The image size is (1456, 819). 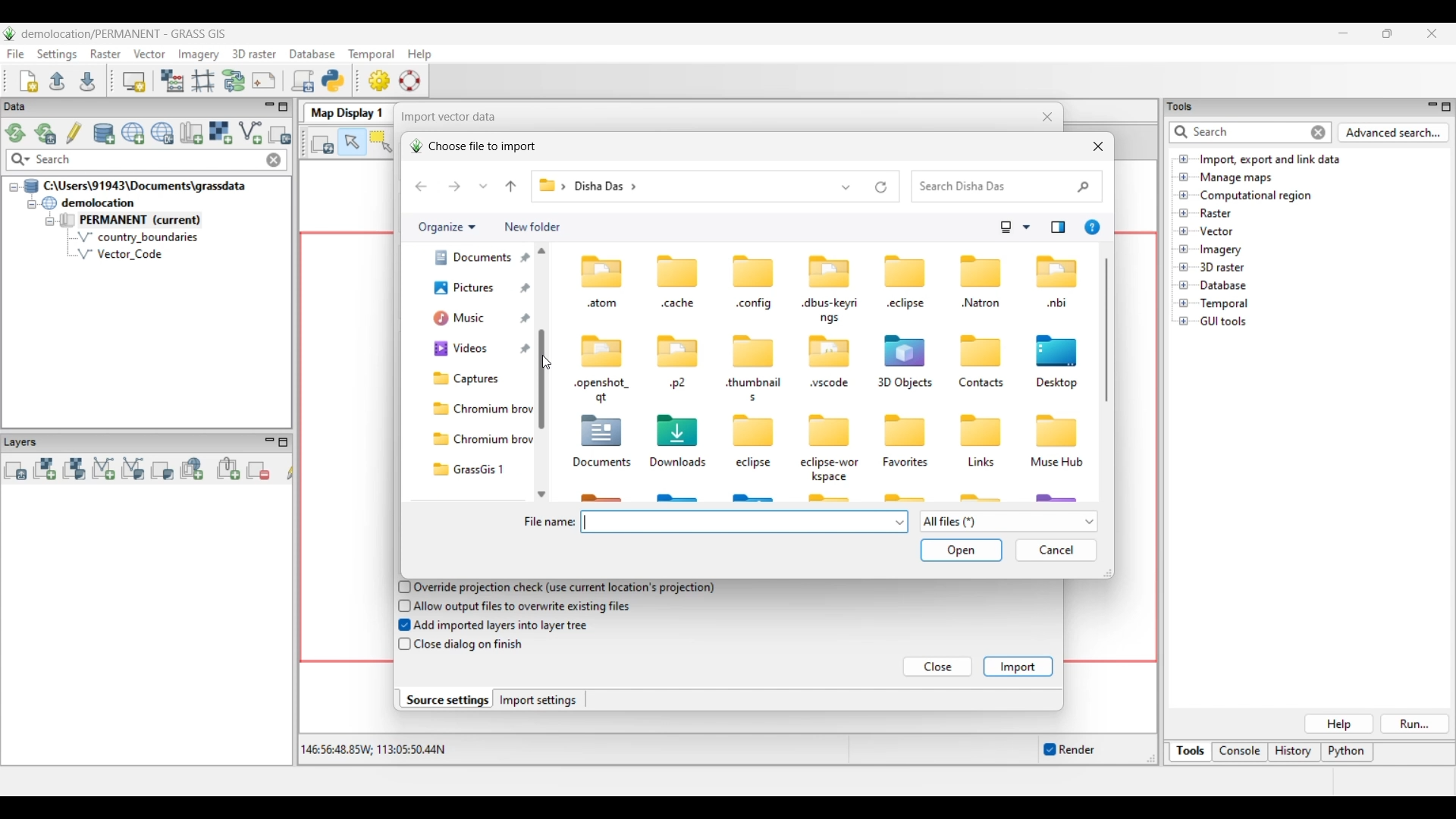 I want to click on checkbox, so click(x=403, y=645).